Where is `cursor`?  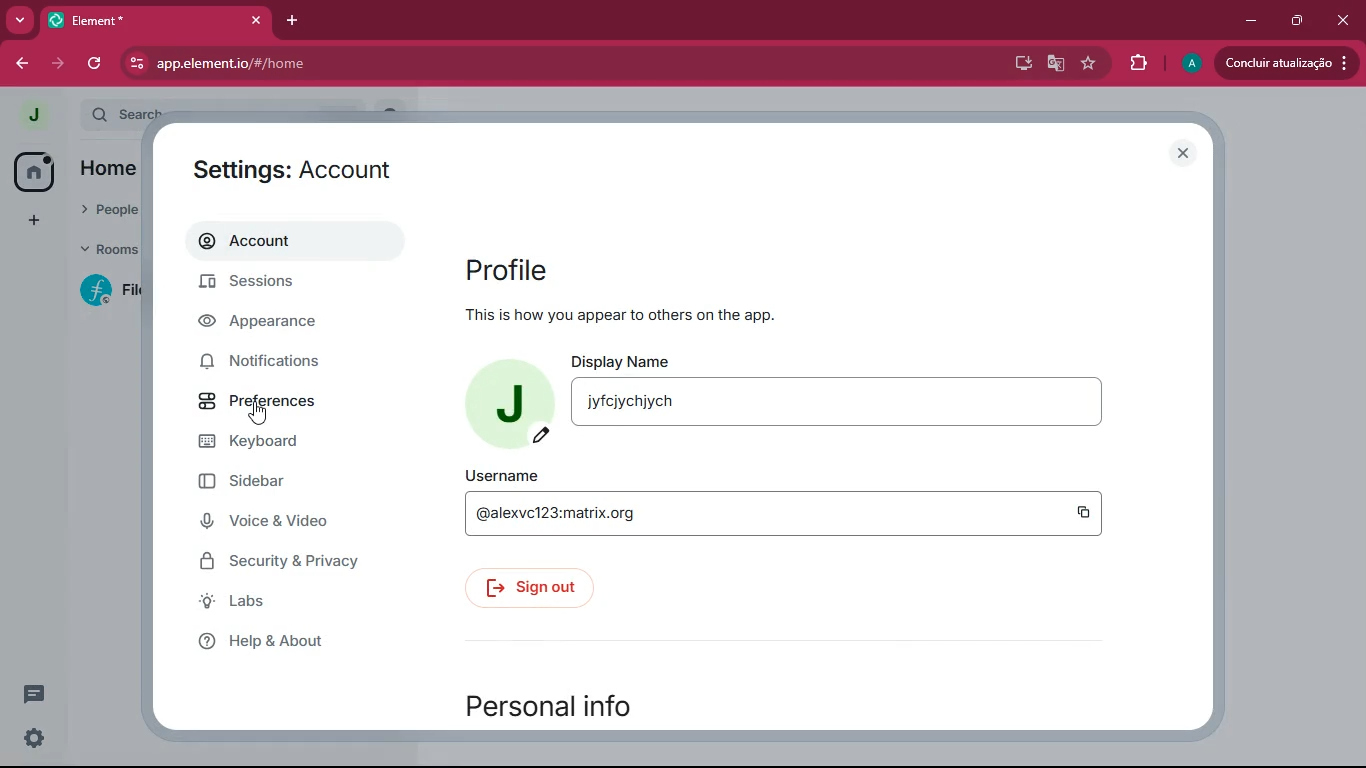 cursor is located at coordinates (258, 413).